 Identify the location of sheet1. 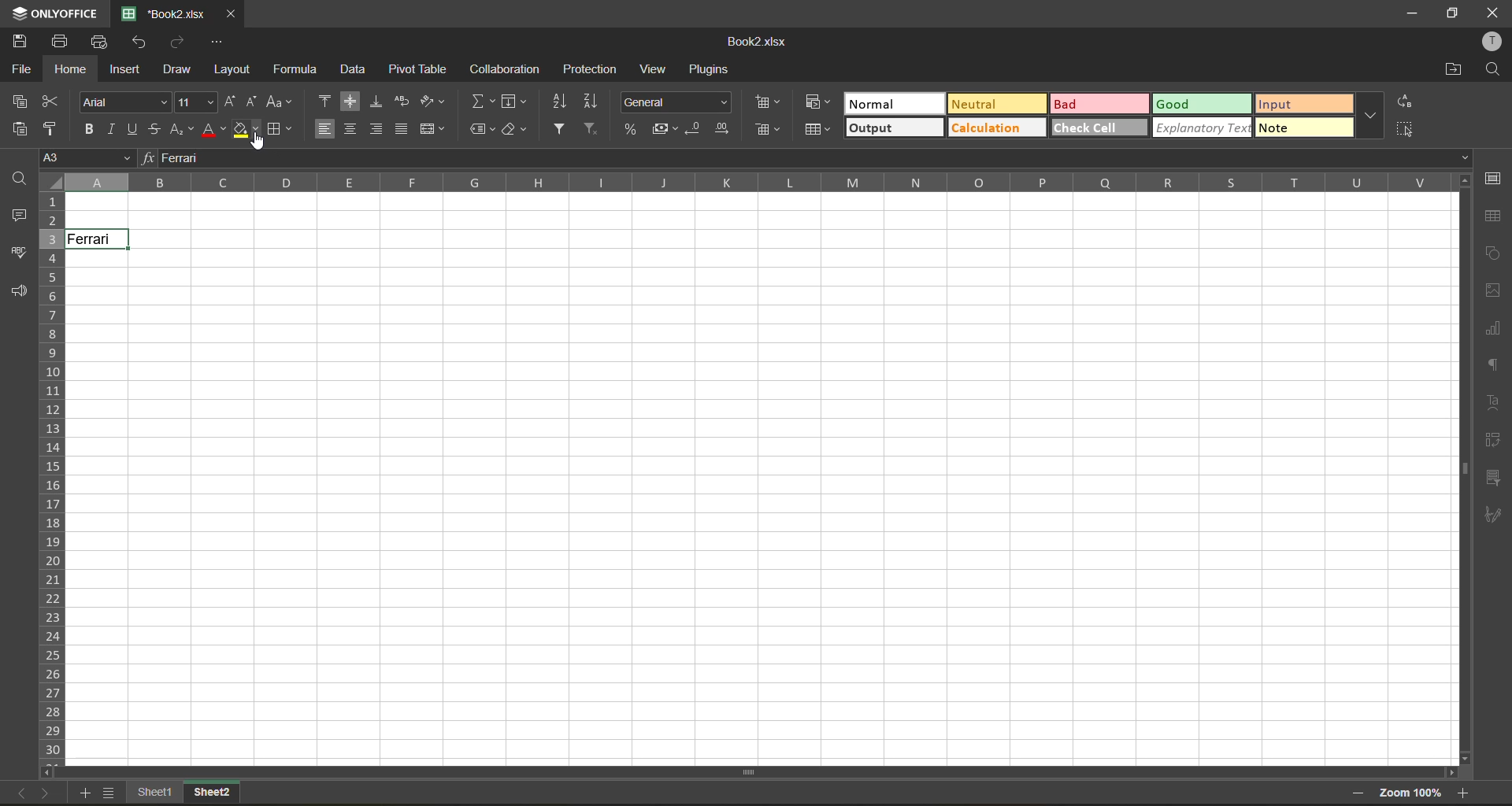
(157, 792).